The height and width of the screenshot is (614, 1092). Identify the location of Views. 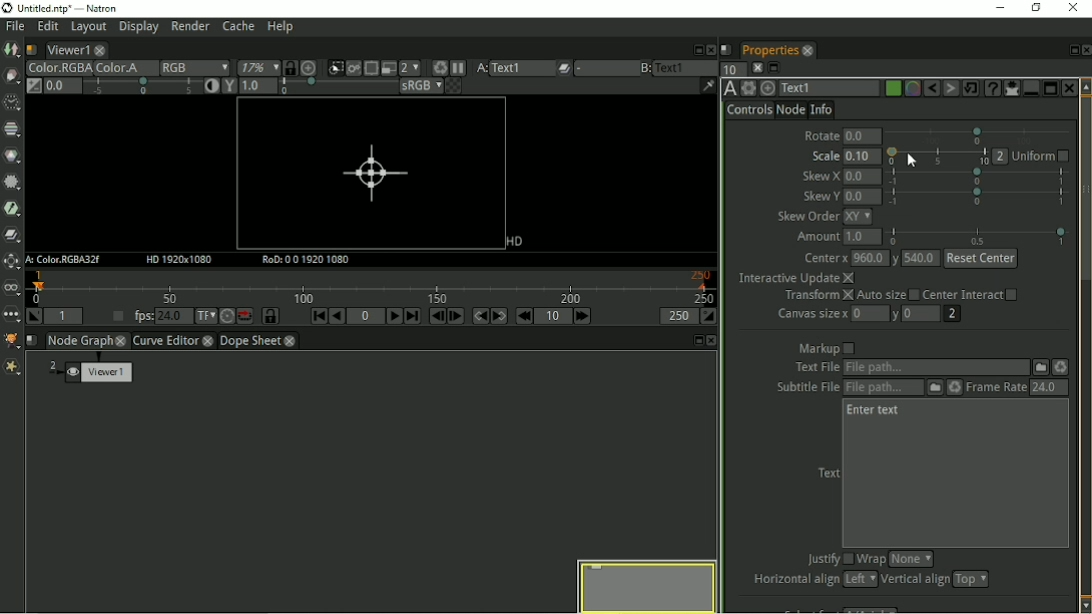
(10, 290).